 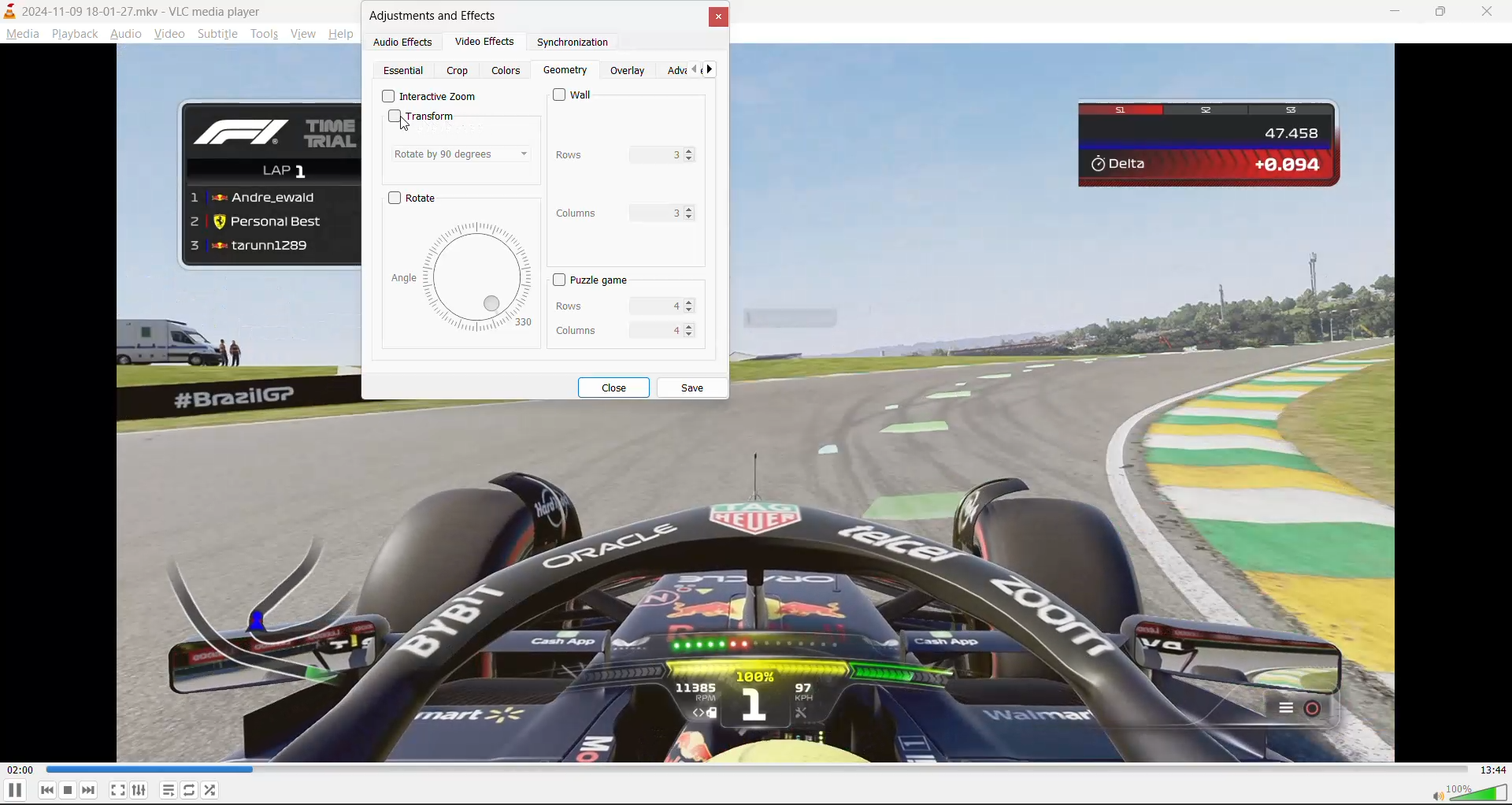 I want to click on next, so click(x=713, y=72).